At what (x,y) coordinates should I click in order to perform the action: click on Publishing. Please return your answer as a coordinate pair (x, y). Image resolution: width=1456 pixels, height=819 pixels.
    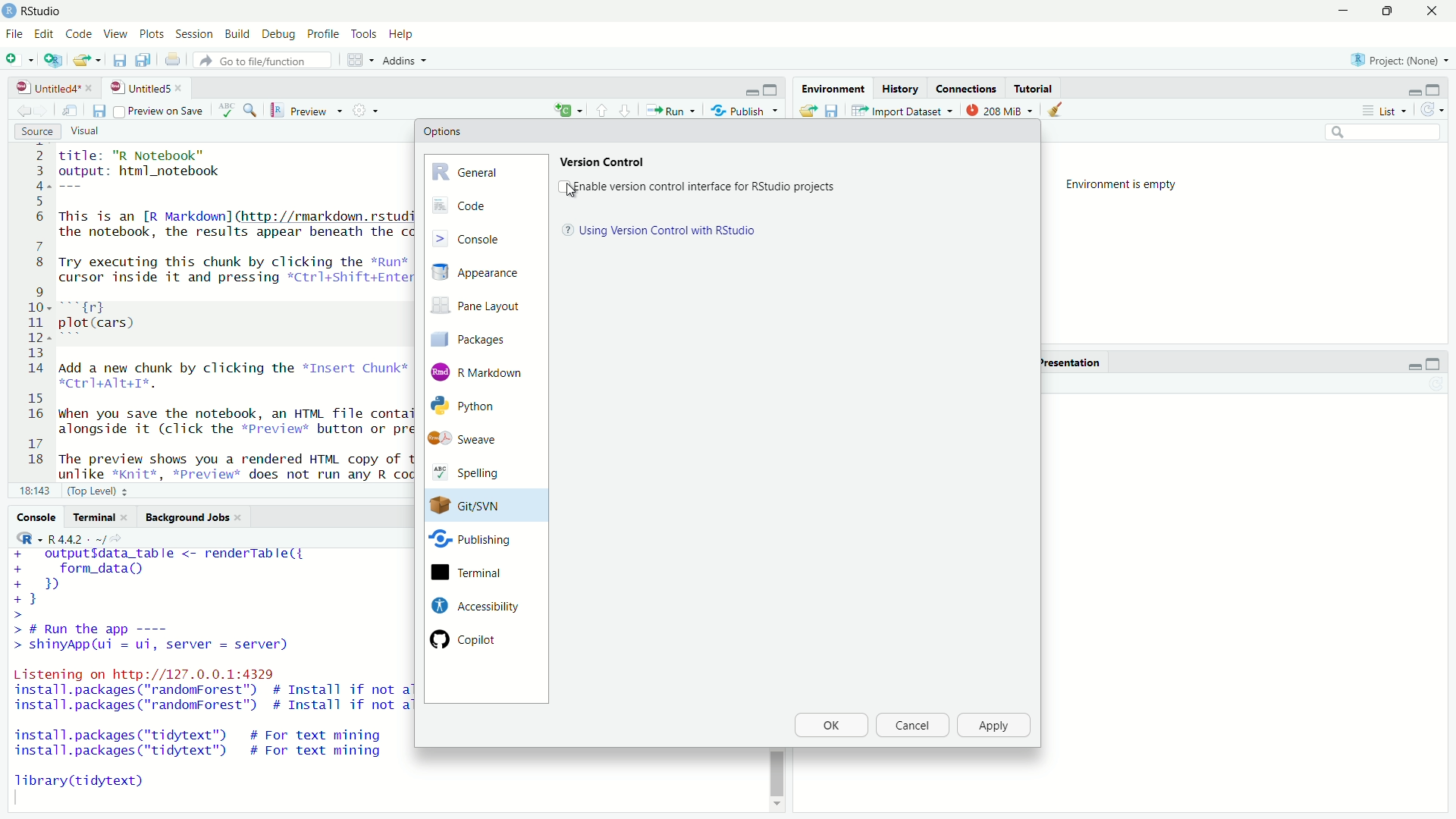
    Looking at the image, I should click on (472, 542).